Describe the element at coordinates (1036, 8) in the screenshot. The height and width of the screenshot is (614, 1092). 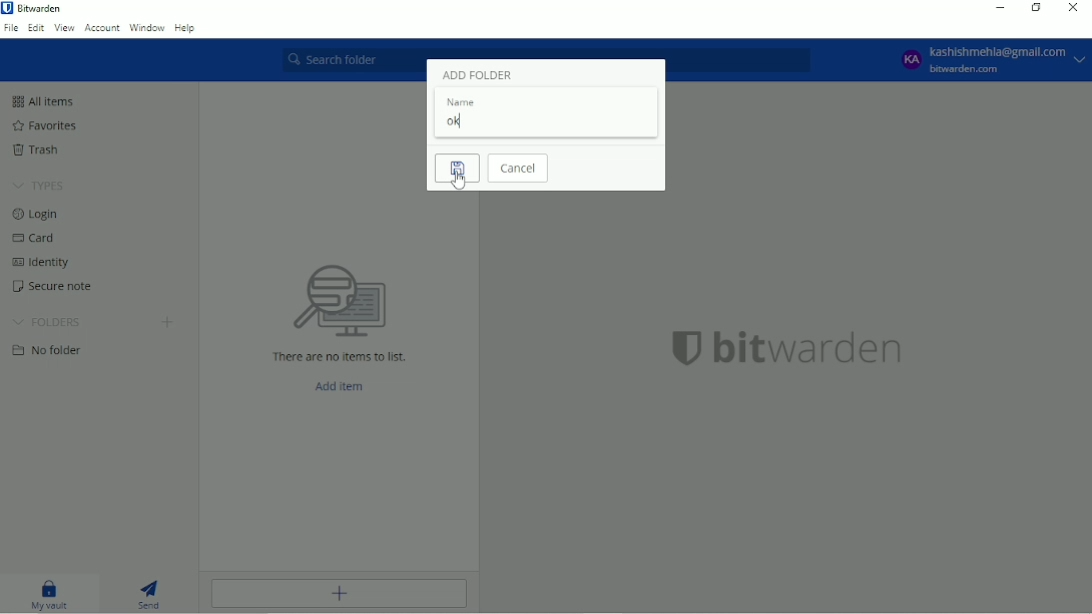
I see `Restore down` at that location.